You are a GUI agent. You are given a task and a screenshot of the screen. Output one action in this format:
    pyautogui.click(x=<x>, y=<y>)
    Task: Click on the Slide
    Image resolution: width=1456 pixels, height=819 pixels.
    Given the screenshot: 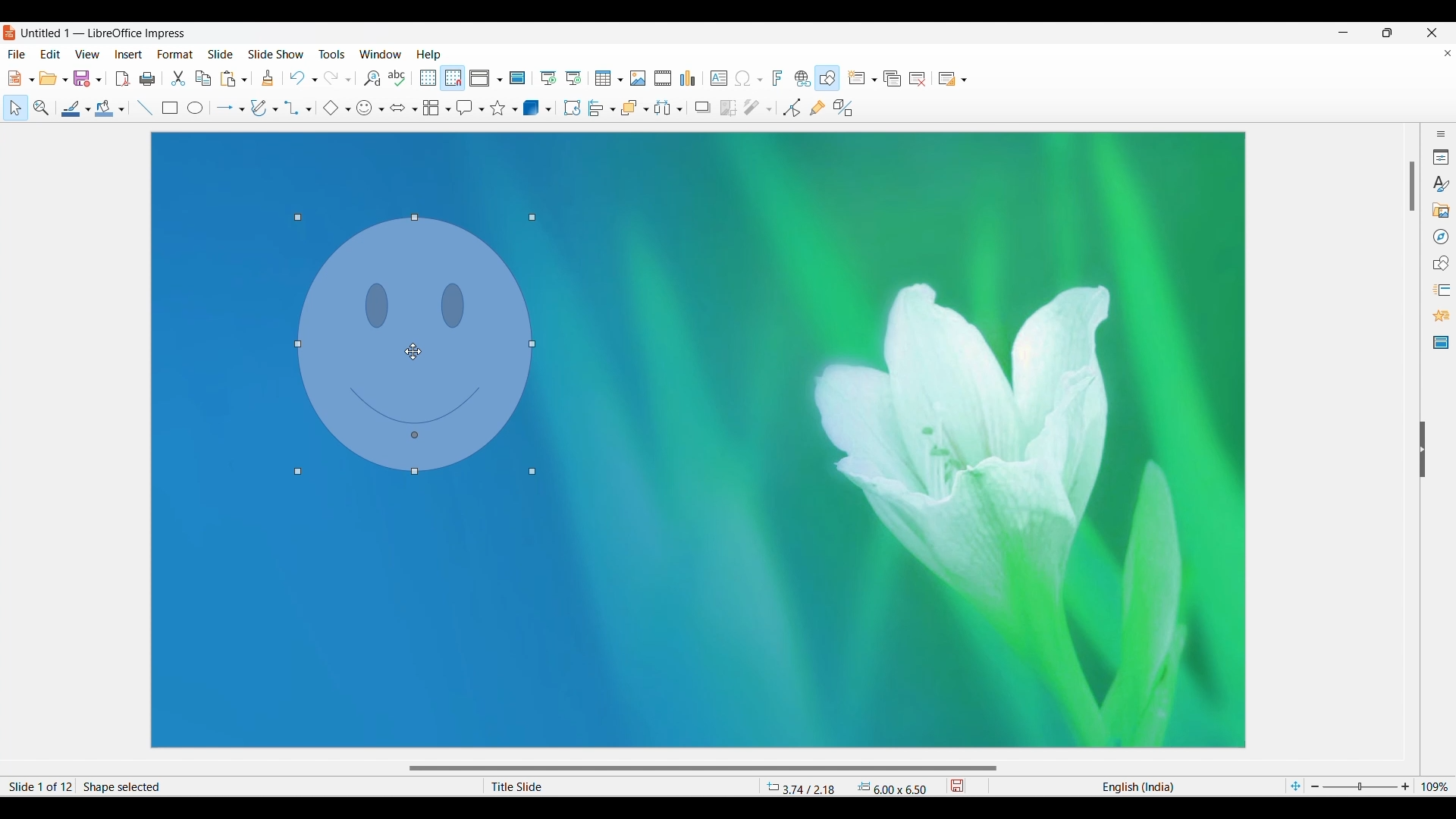 What is the action you would take?
    pyautogui.click(x=221, y=54)
    